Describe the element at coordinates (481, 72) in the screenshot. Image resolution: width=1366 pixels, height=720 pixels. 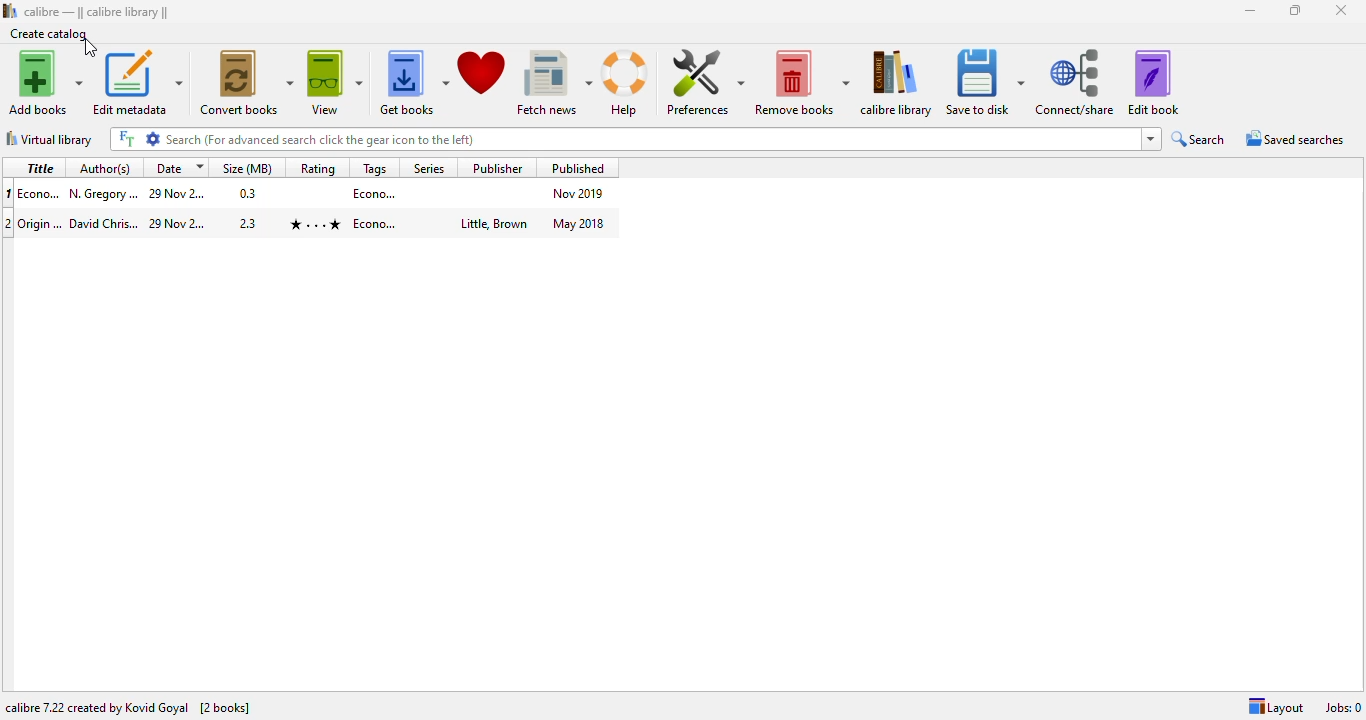
I see `donate to support calibre` at that location.